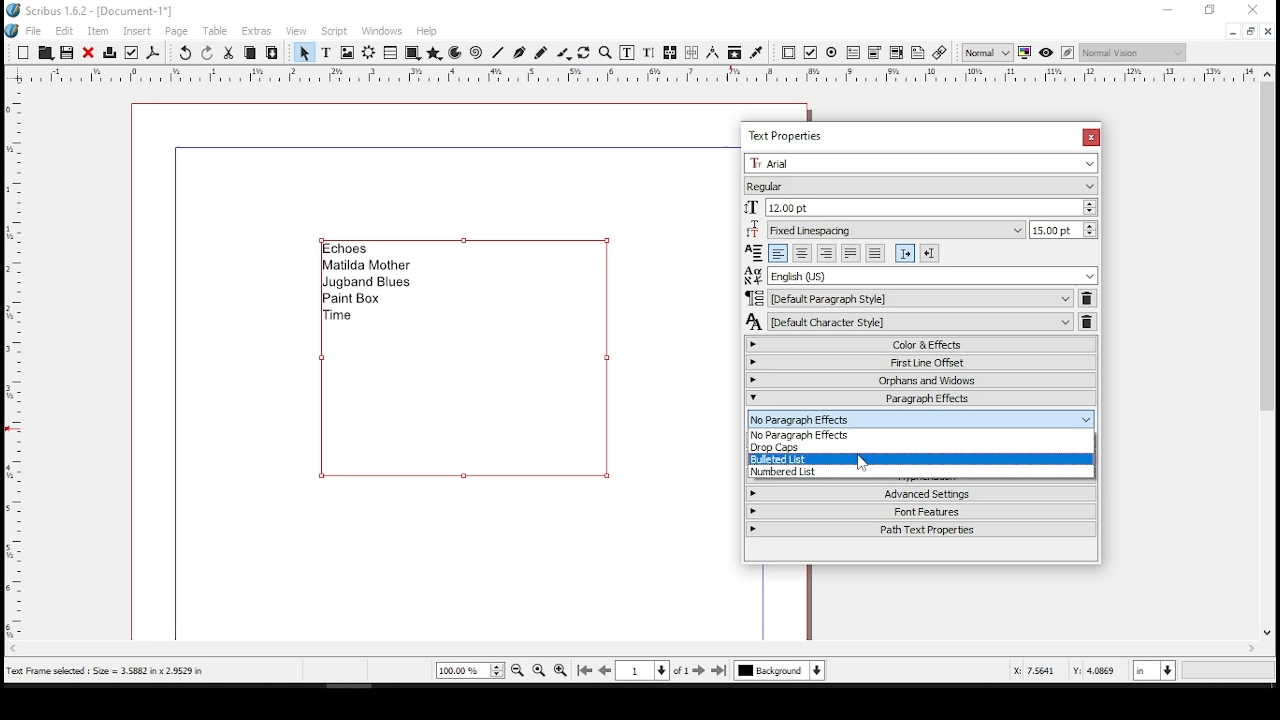 This screenshot has height=720, width=1280. I want to click on current zoom level, so click(470, 670).